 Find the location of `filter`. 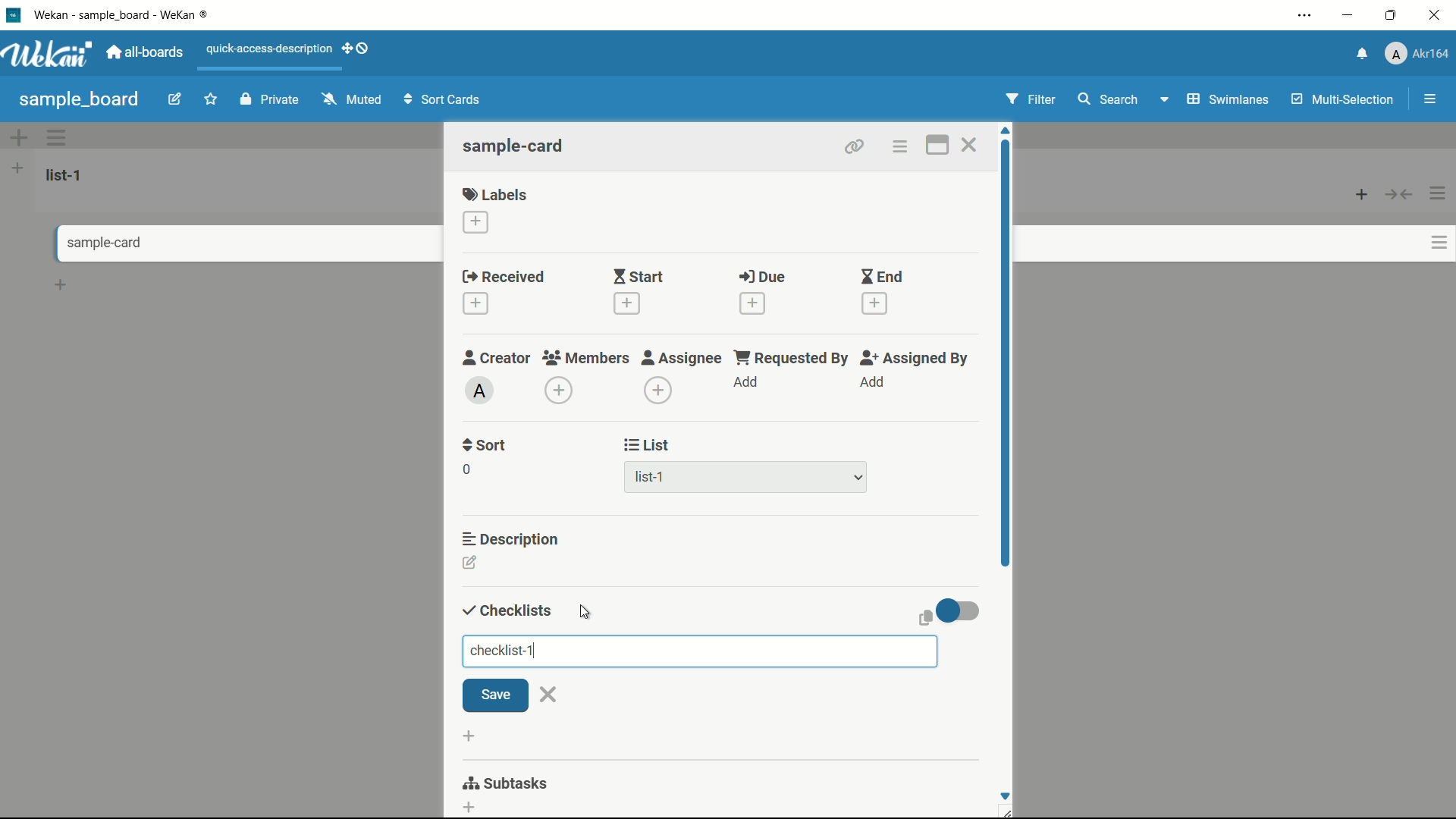

filter is located at coordinates (1031, 100).